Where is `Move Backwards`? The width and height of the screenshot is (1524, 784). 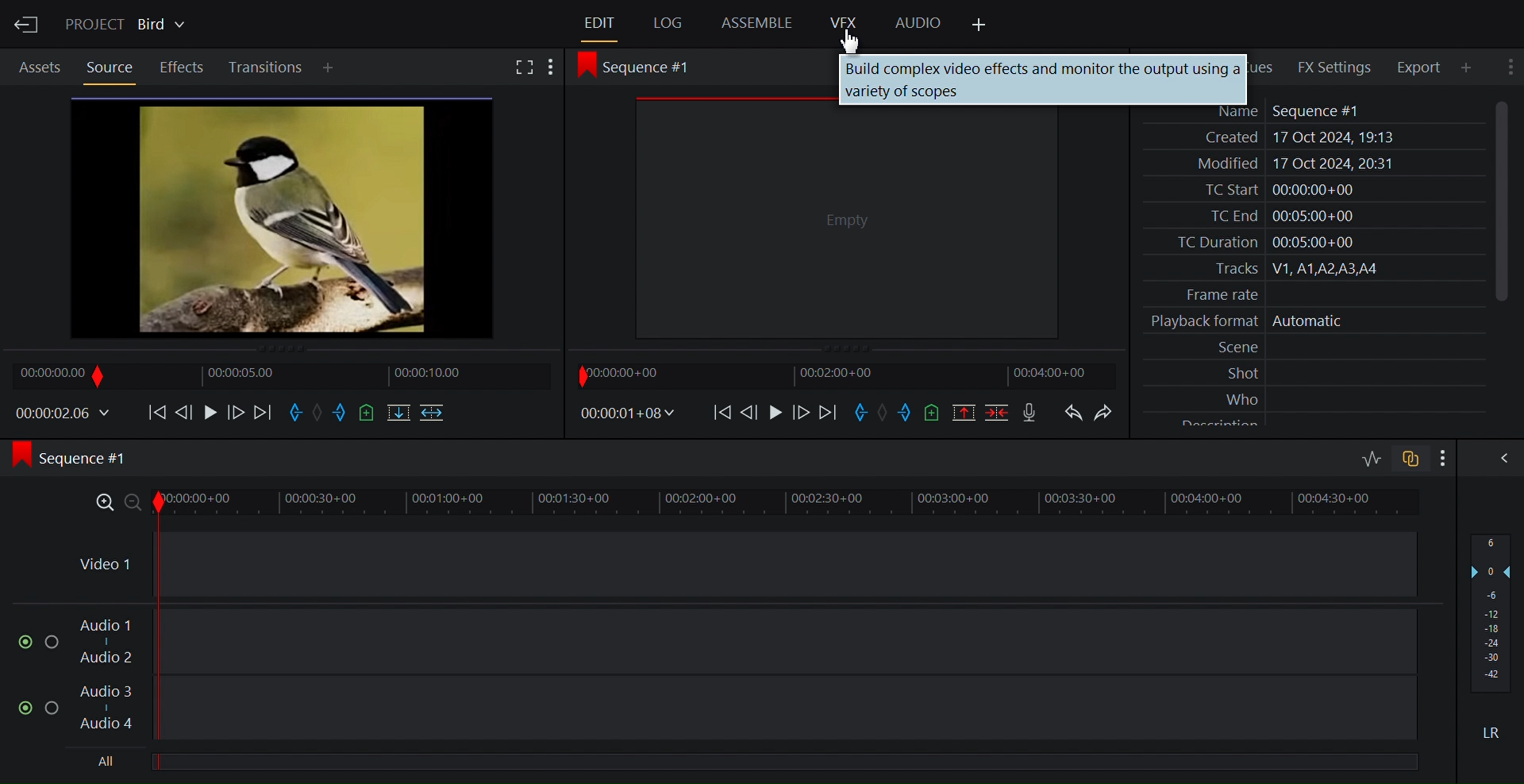 Move Backwards is located at coordinates (723, 413).